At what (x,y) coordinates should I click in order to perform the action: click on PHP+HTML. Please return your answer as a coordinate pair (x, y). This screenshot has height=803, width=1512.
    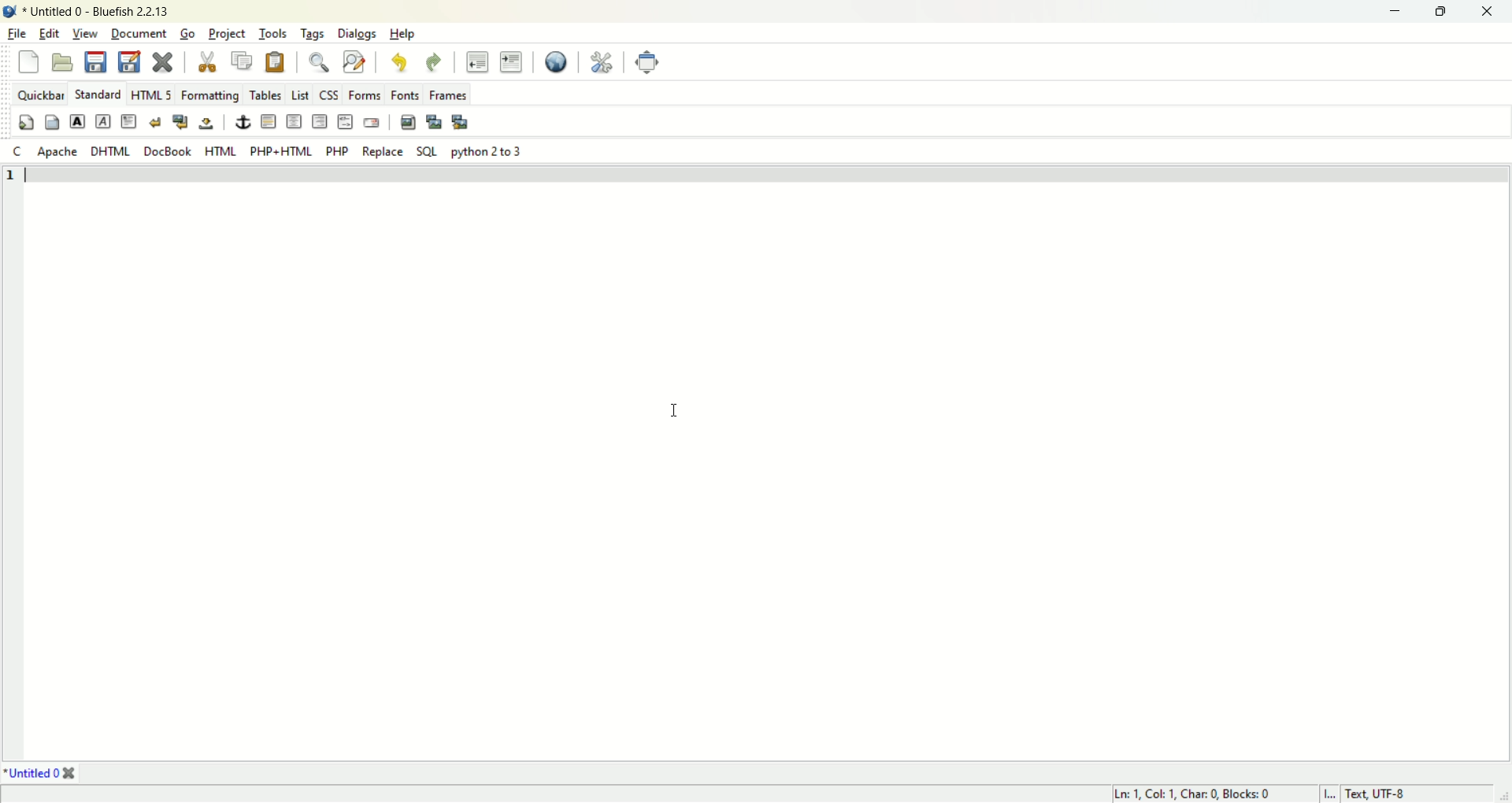
    Looking at the image, I should click on (281, 152).